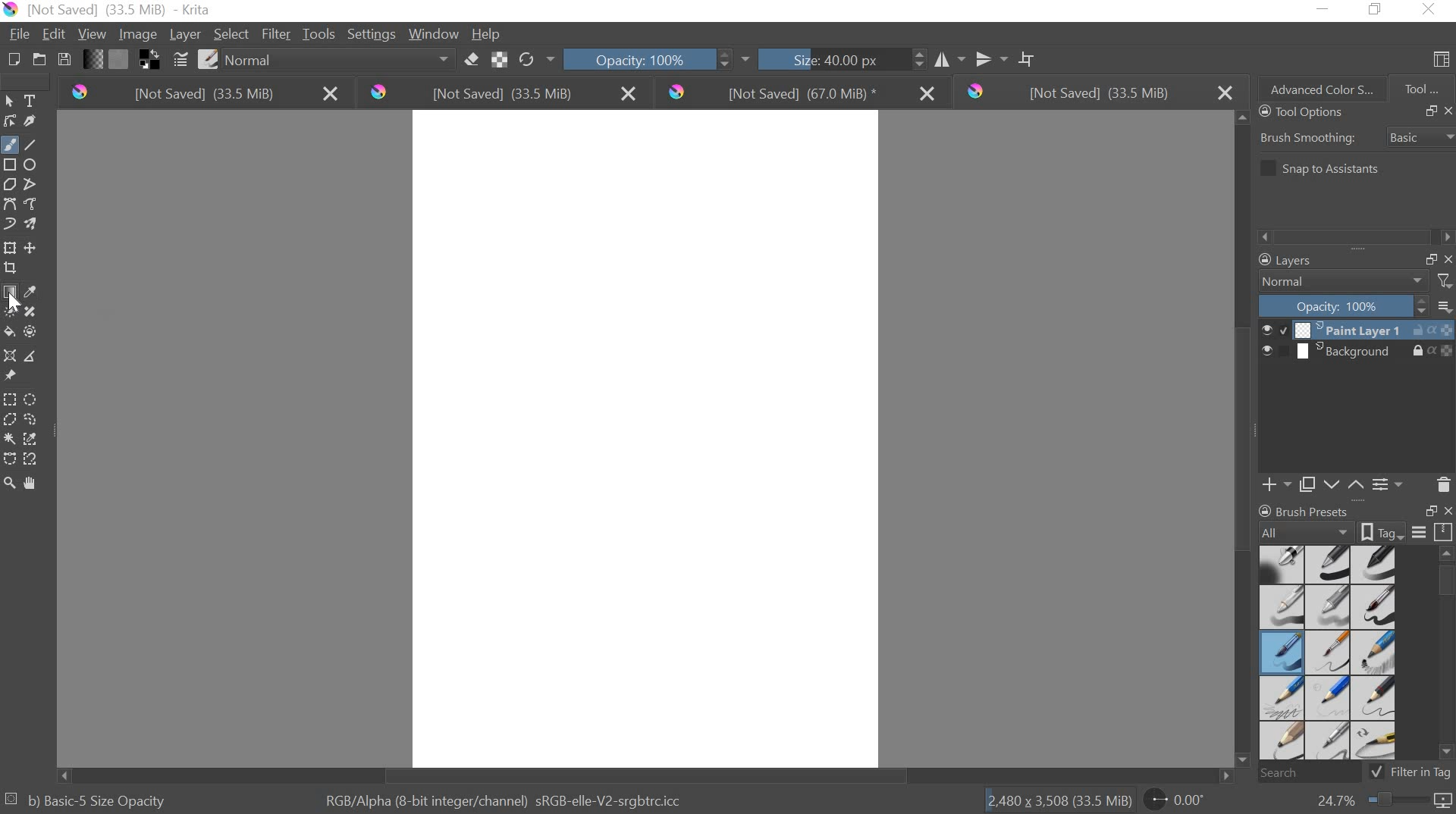 The width and height of the screenshot is (1456, 814). Describe the element at coordinates (1379, 803) in the screenshot. I see `ZOOM FACTOR` at that location.